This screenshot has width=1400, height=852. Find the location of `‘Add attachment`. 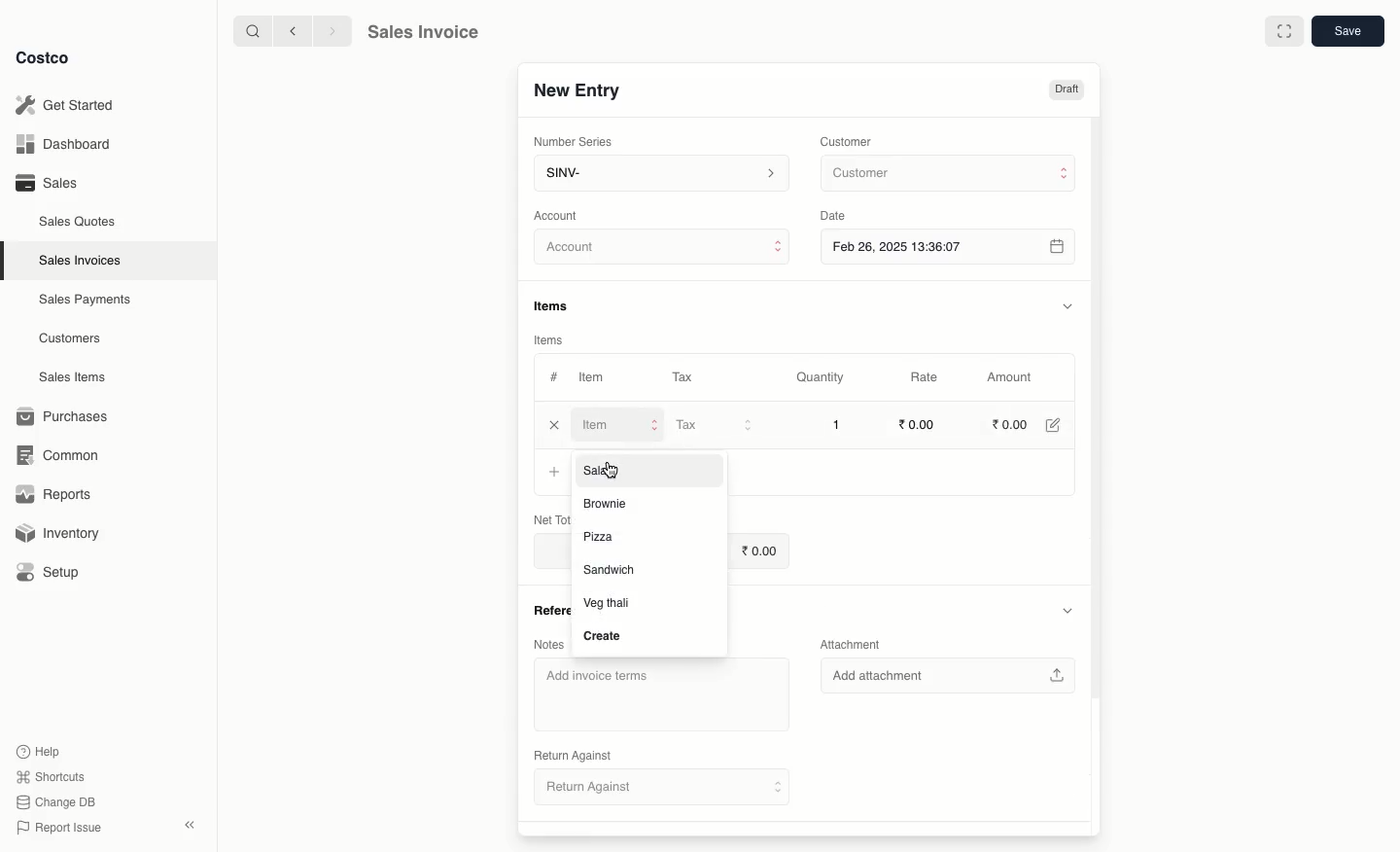

‘Add attachment is located at coordinates (947, 675).